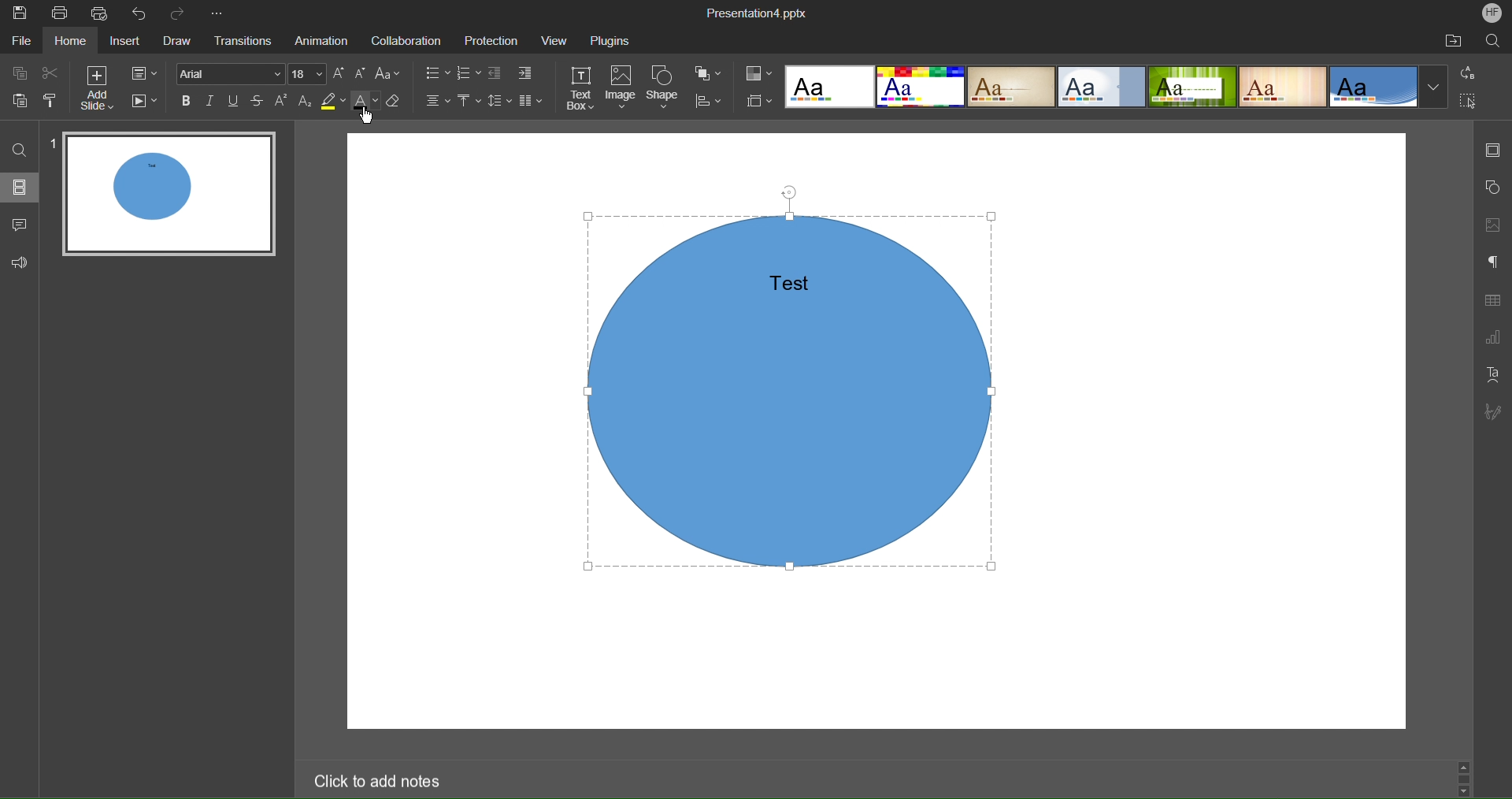 Image resolution: width=1512 pixels, height=799 pixels. I want to click on Graph Settings, so click(1493, 337).